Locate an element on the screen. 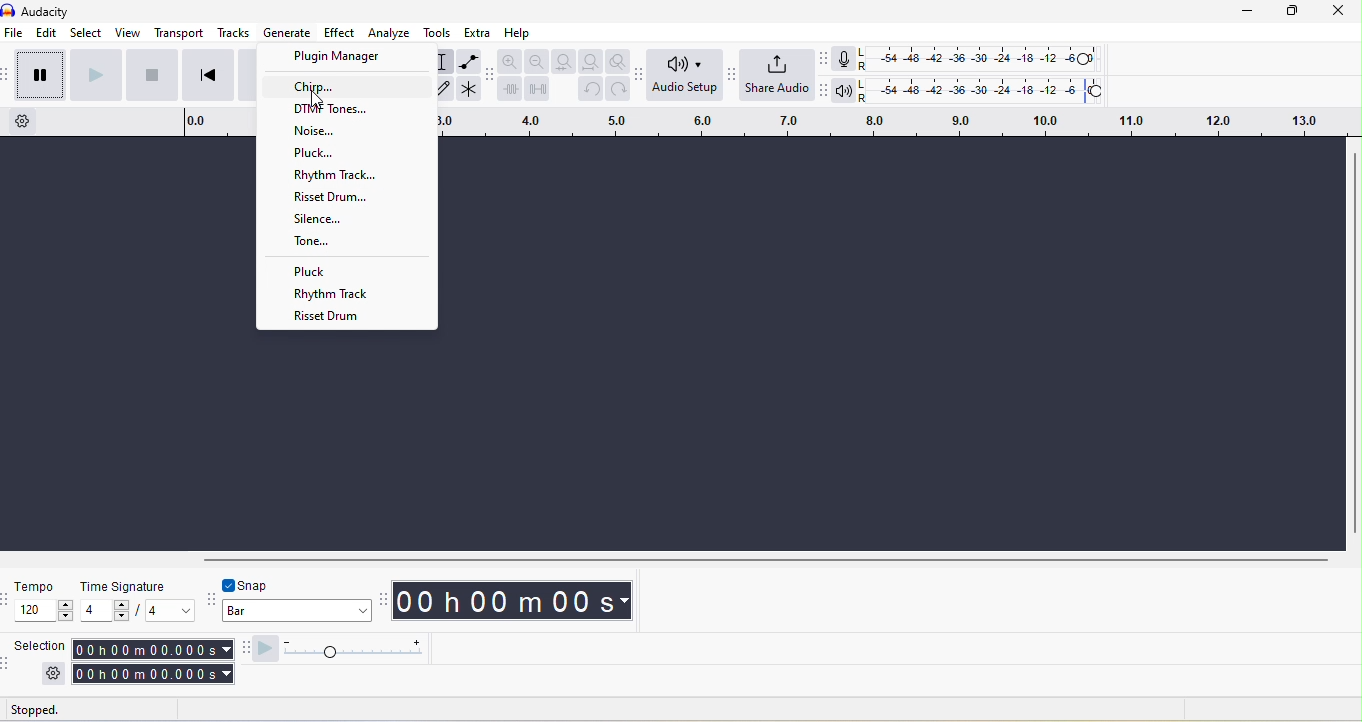  zoom in  is located at coordinates (511, 60).